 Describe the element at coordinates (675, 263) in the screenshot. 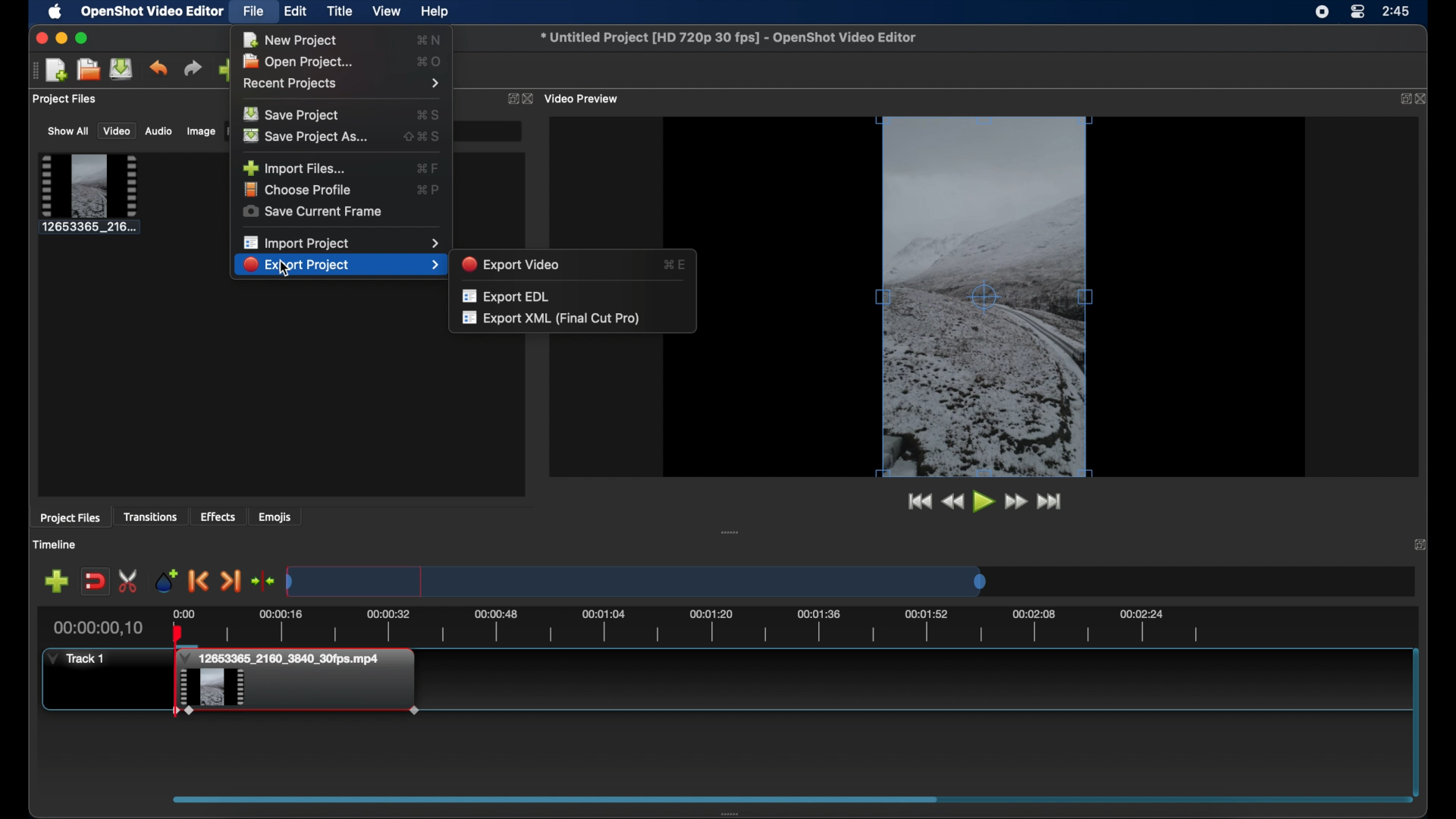

I see `export video shortcut` at that location.